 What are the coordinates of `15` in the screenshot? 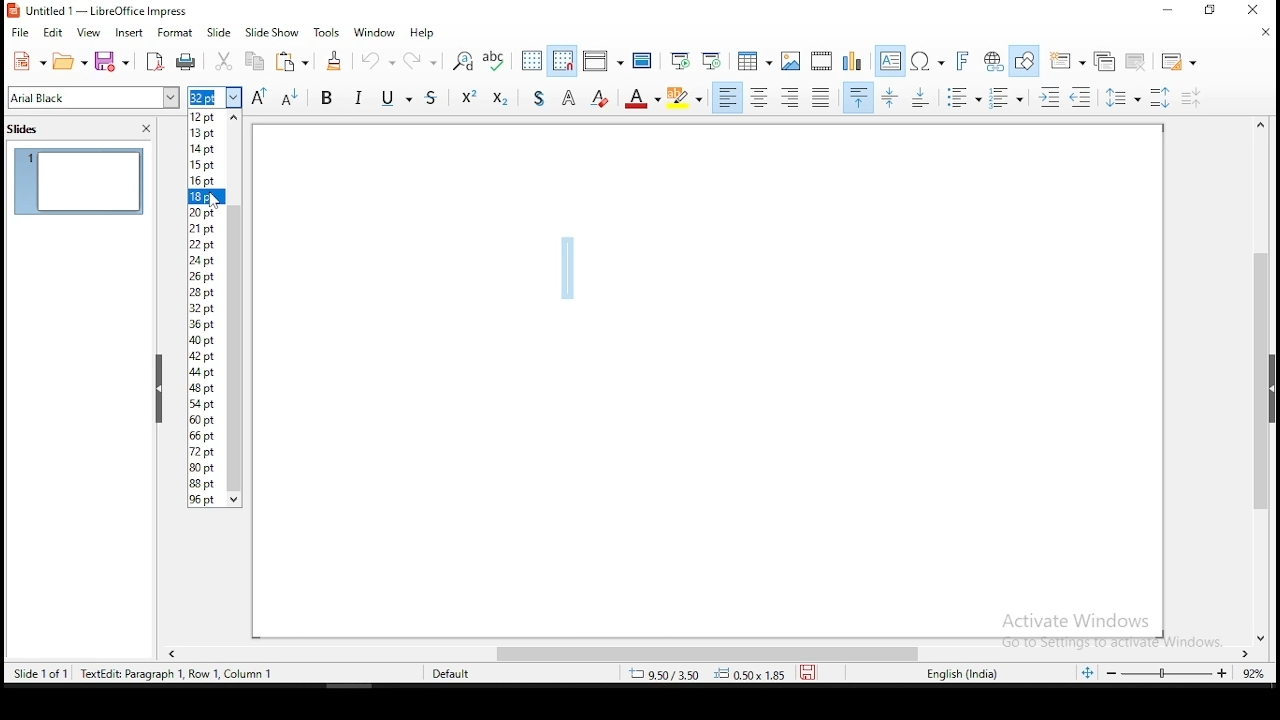 It's located at (206, 164).